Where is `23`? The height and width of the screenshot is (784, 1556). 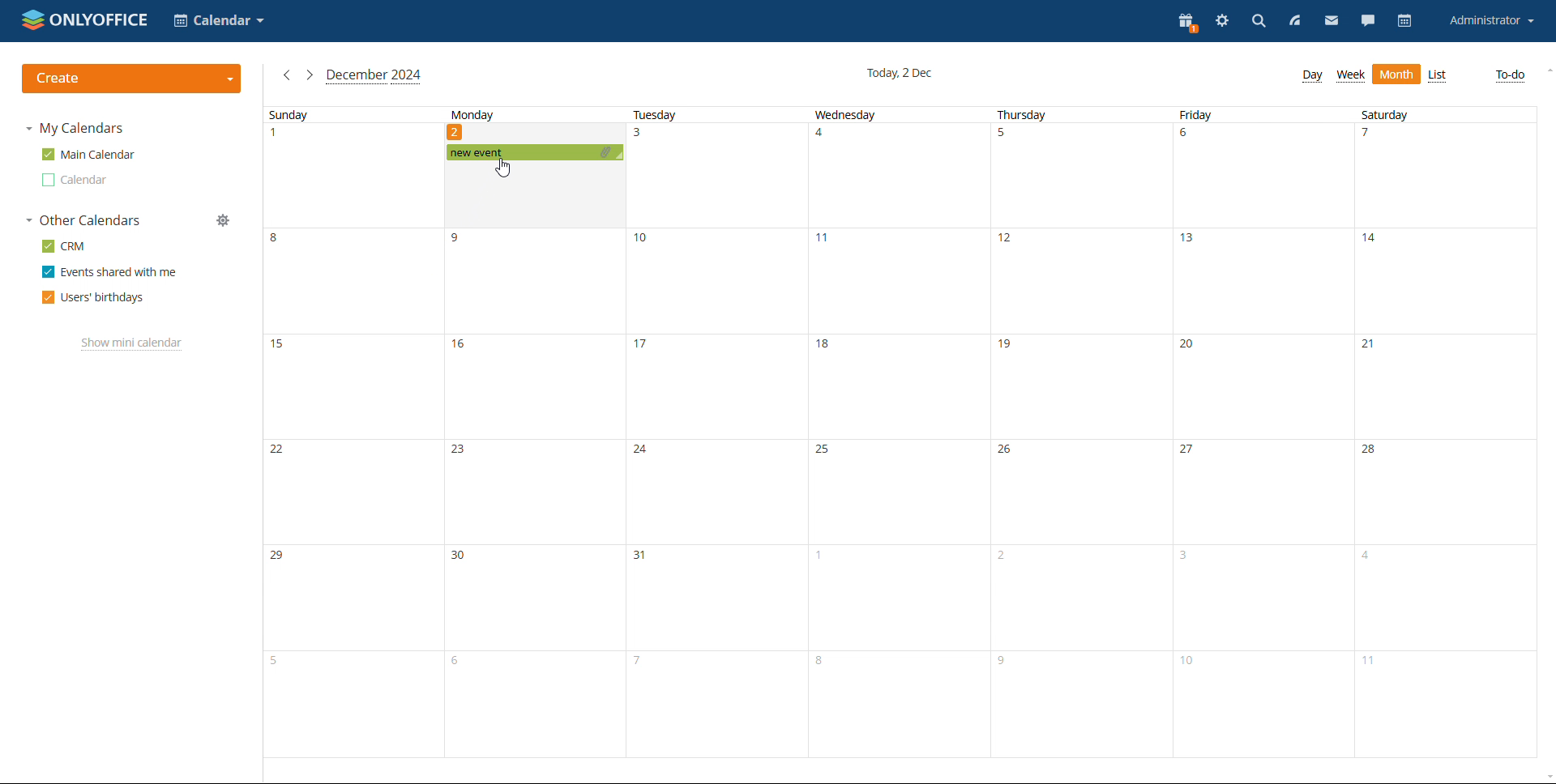
23 is located at coordinates (461, 453).